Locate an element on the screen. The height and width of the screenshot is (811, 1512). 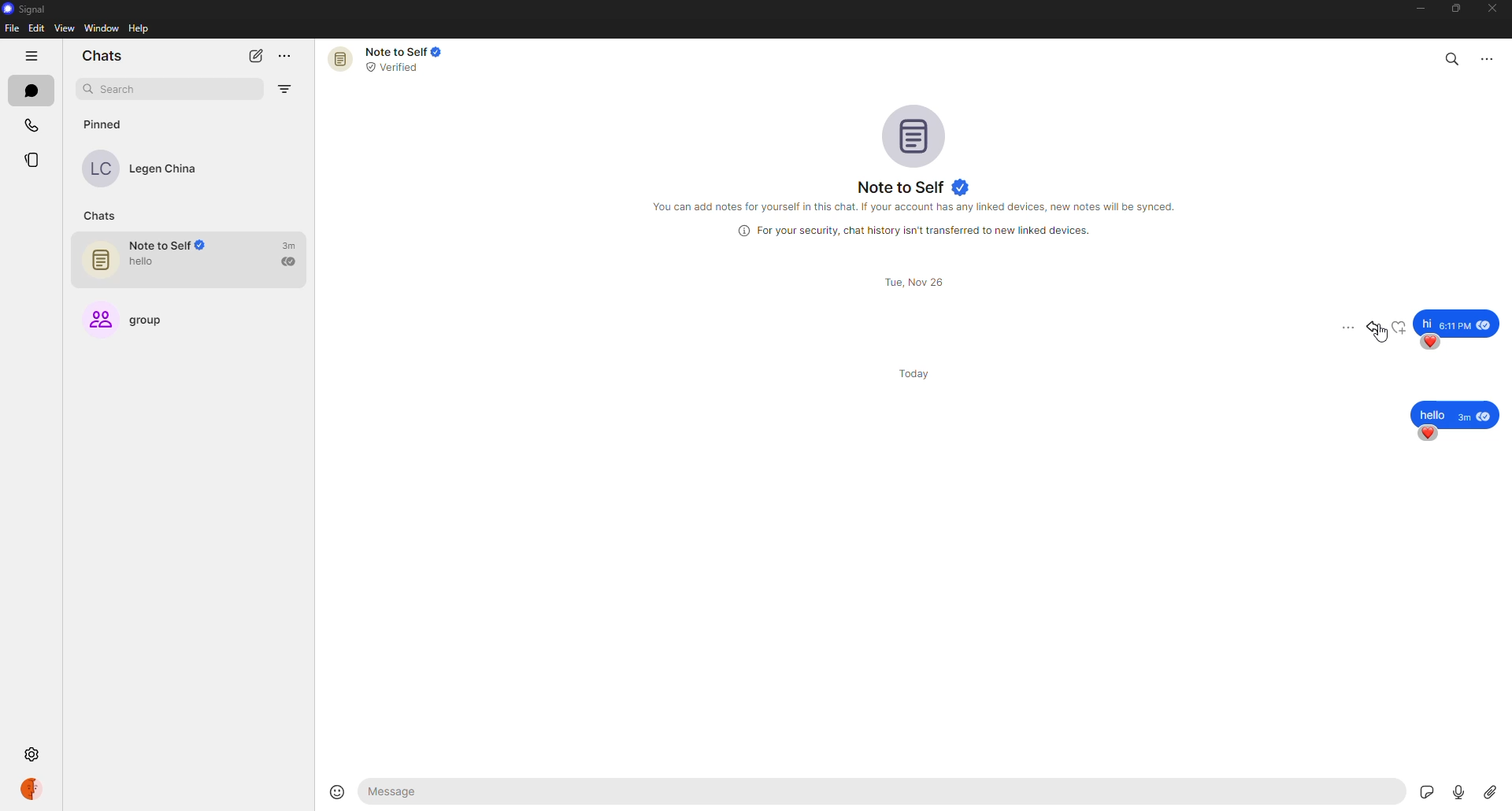
settings is located at coordinates (33, 752).